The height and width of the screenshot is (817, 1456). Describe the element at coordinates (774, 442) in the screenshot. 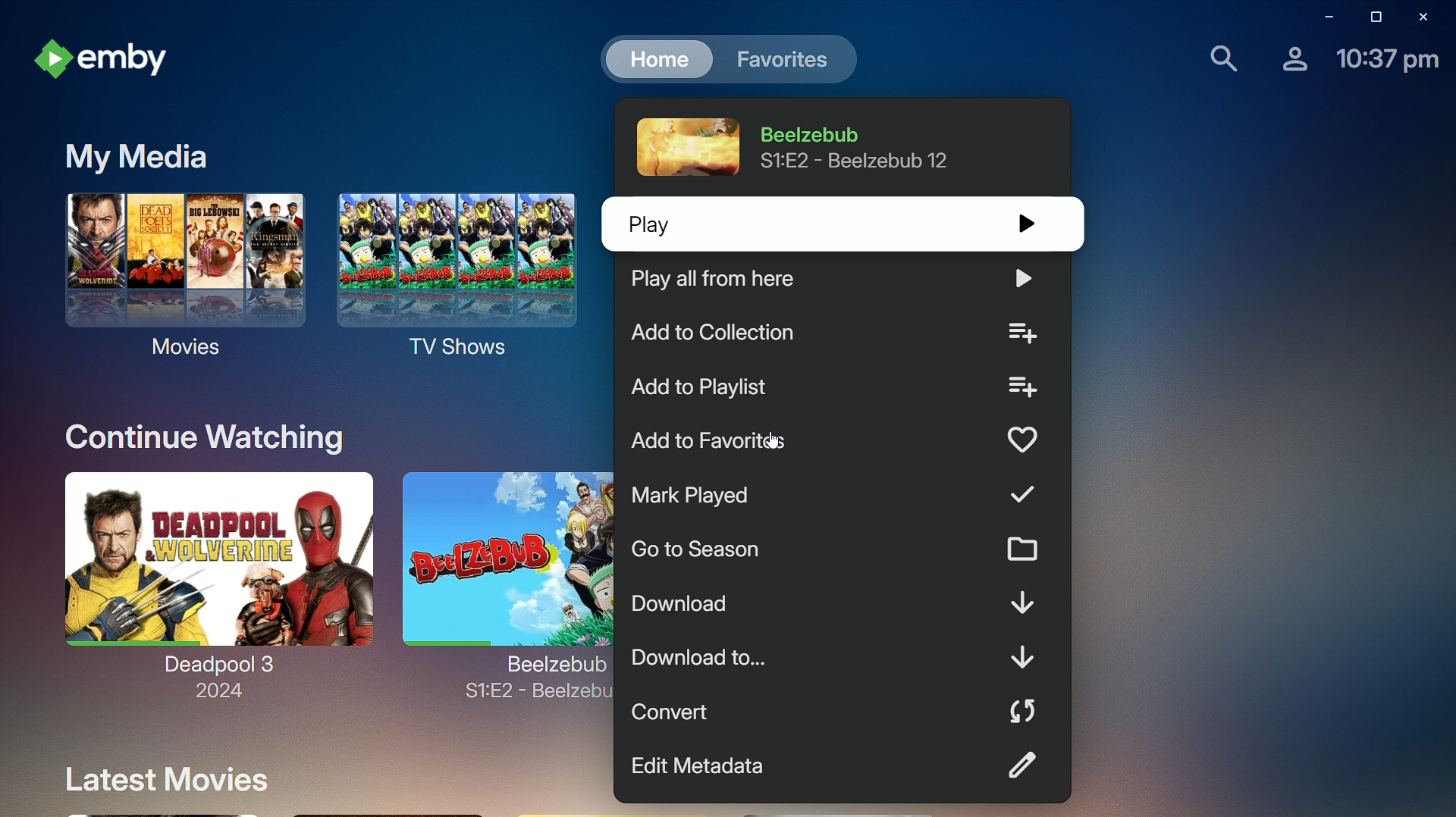

I see `cursor` at that location.